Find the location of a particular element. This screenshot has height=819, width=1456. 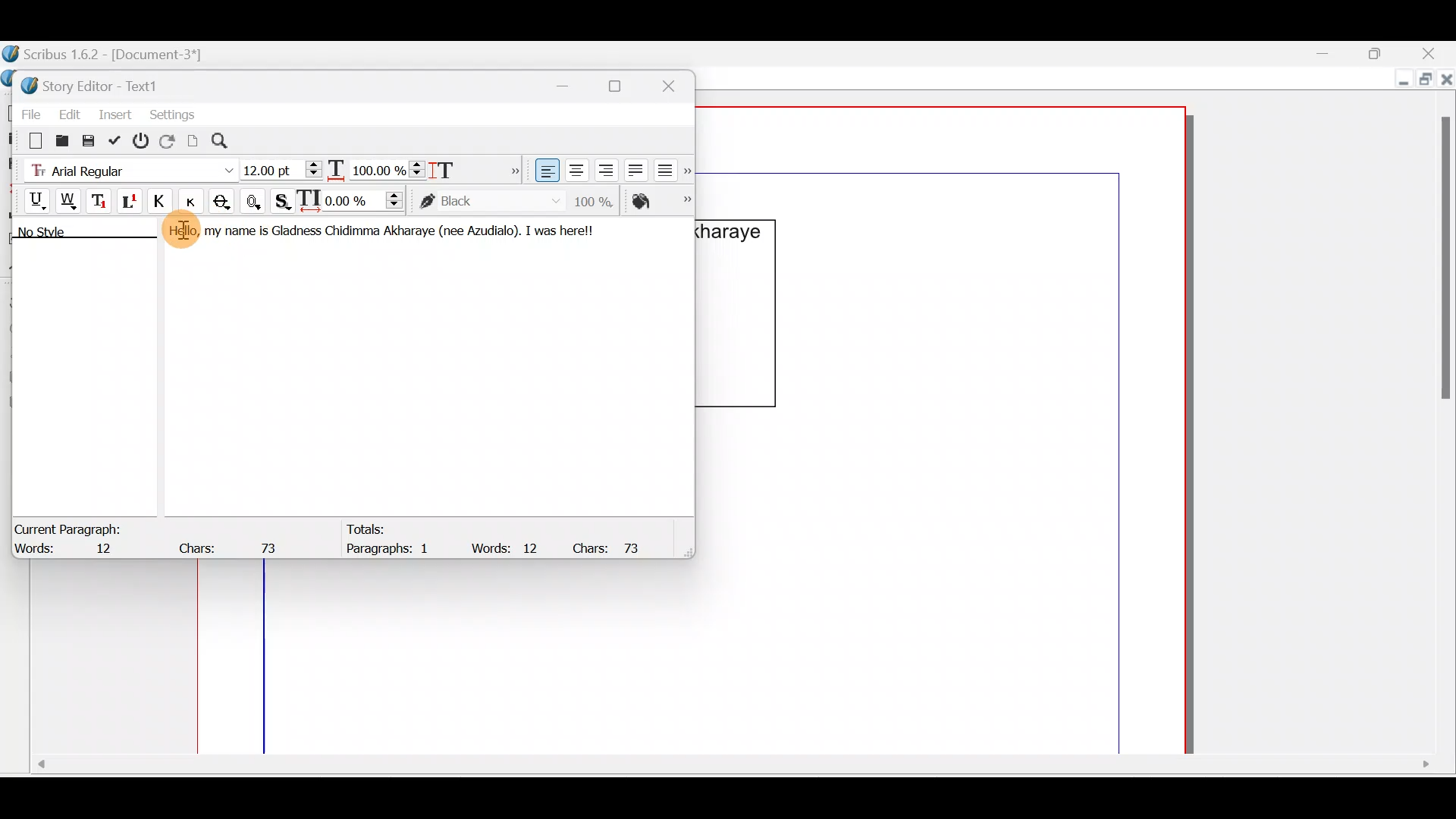

File is located at coordinates (27, 111).